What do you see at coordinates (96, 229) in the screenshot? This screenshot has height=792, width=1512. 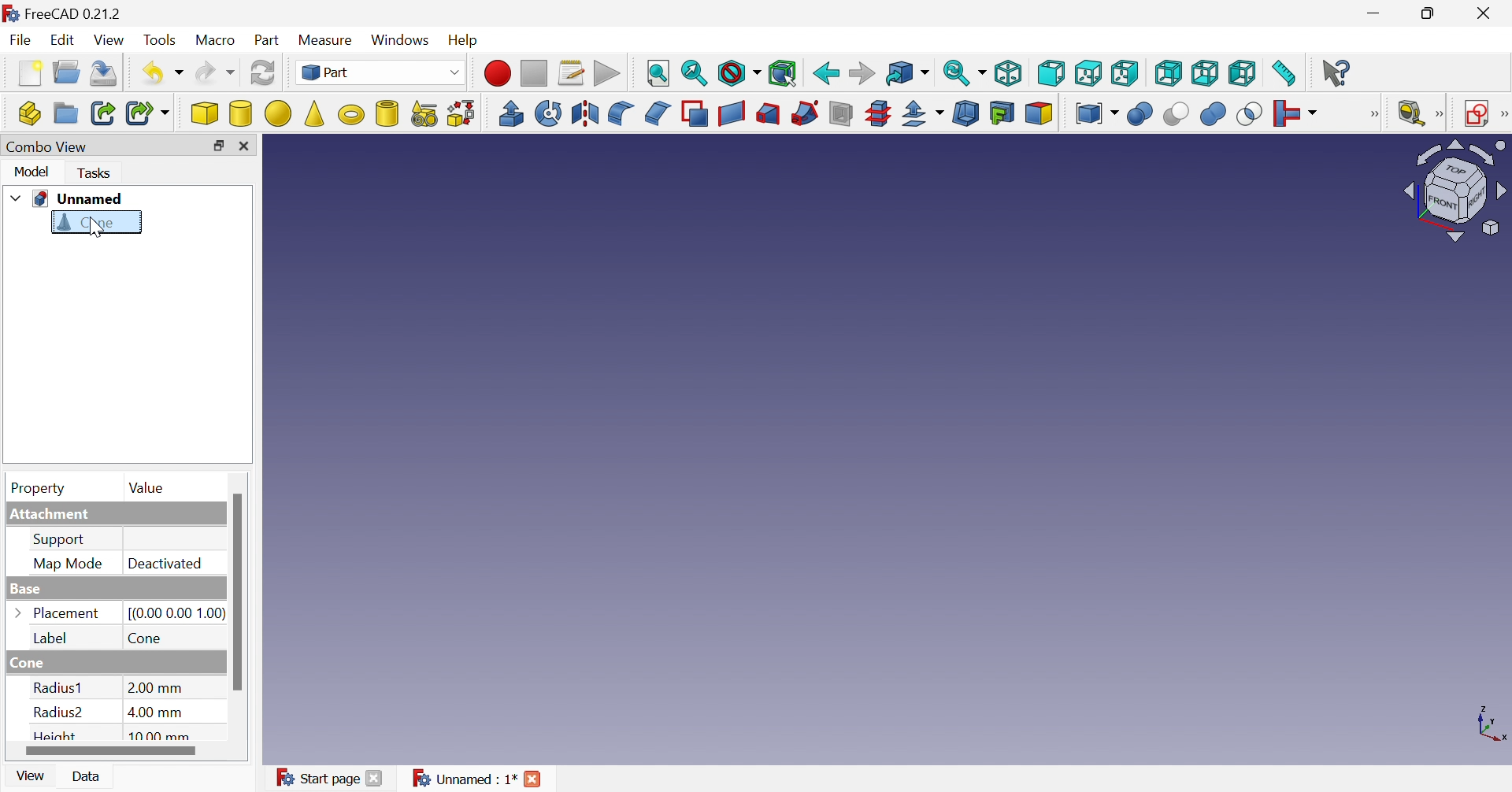 I see `Cursor` at bounding box center [96, 229].